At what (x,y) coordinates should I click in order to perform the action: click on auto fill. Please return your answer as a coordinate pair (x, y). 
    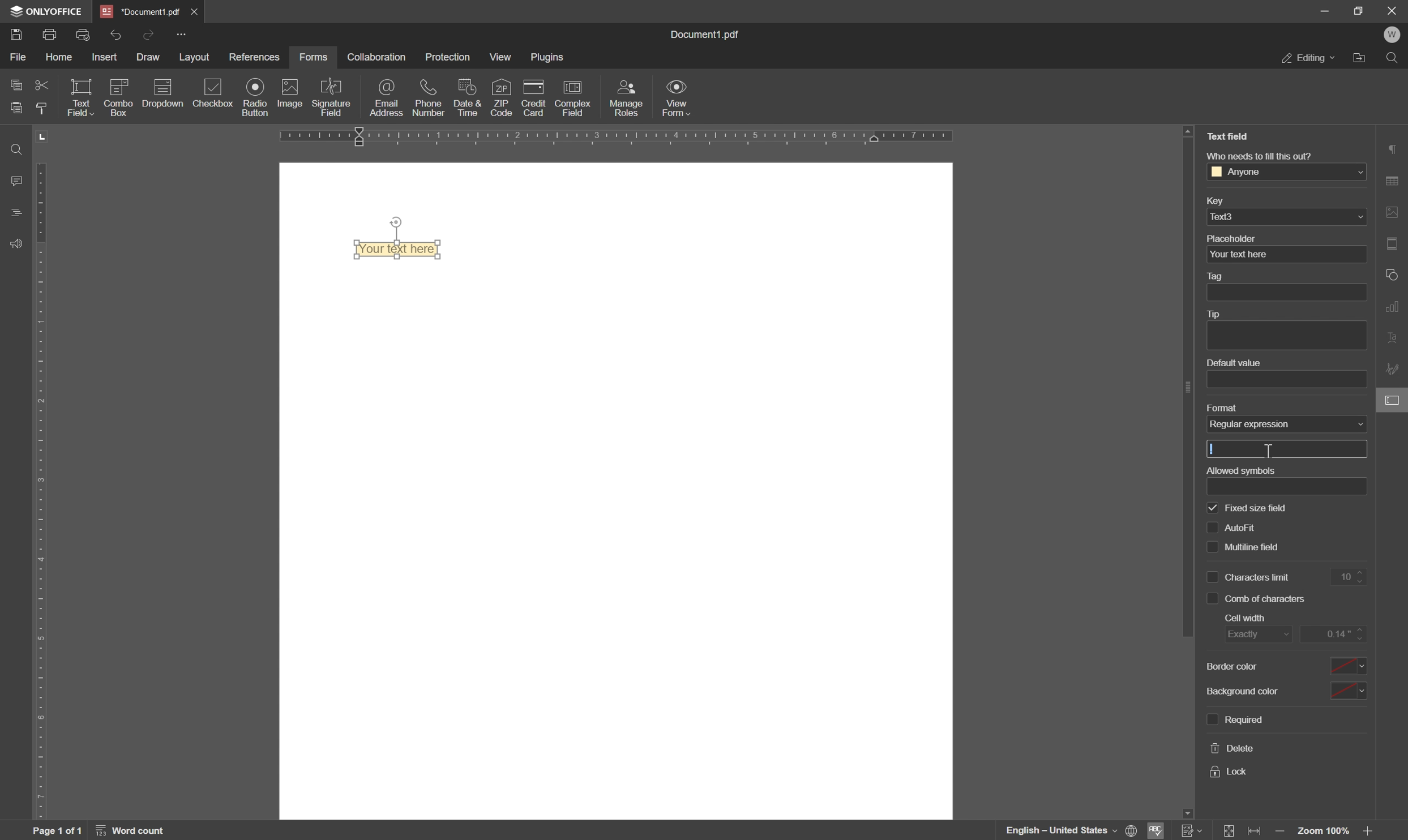
    Looking at the image, I should click on (1260, 505).